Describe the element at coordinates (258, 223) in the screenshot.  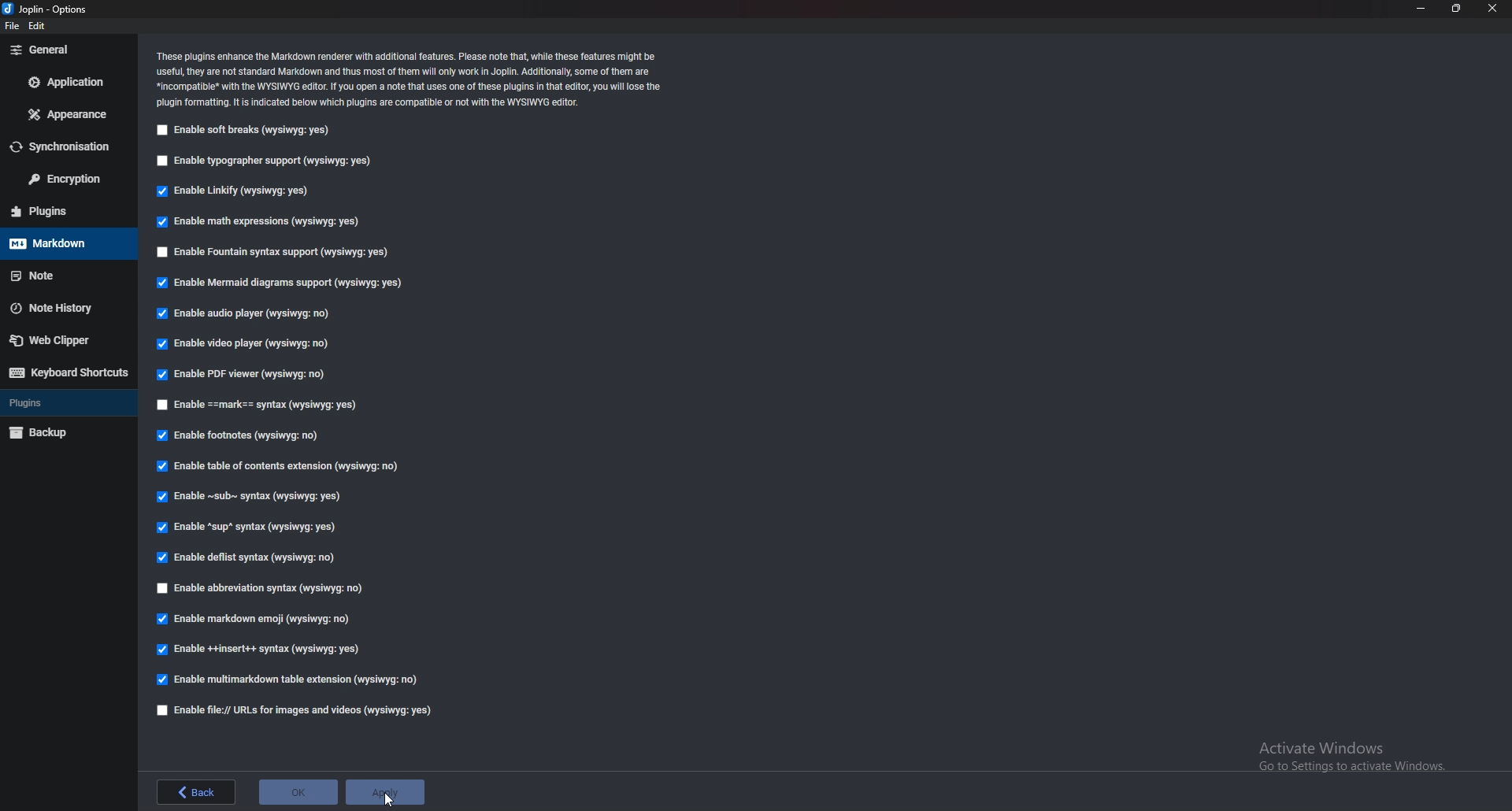
I see `Enable math expressions` at that location.